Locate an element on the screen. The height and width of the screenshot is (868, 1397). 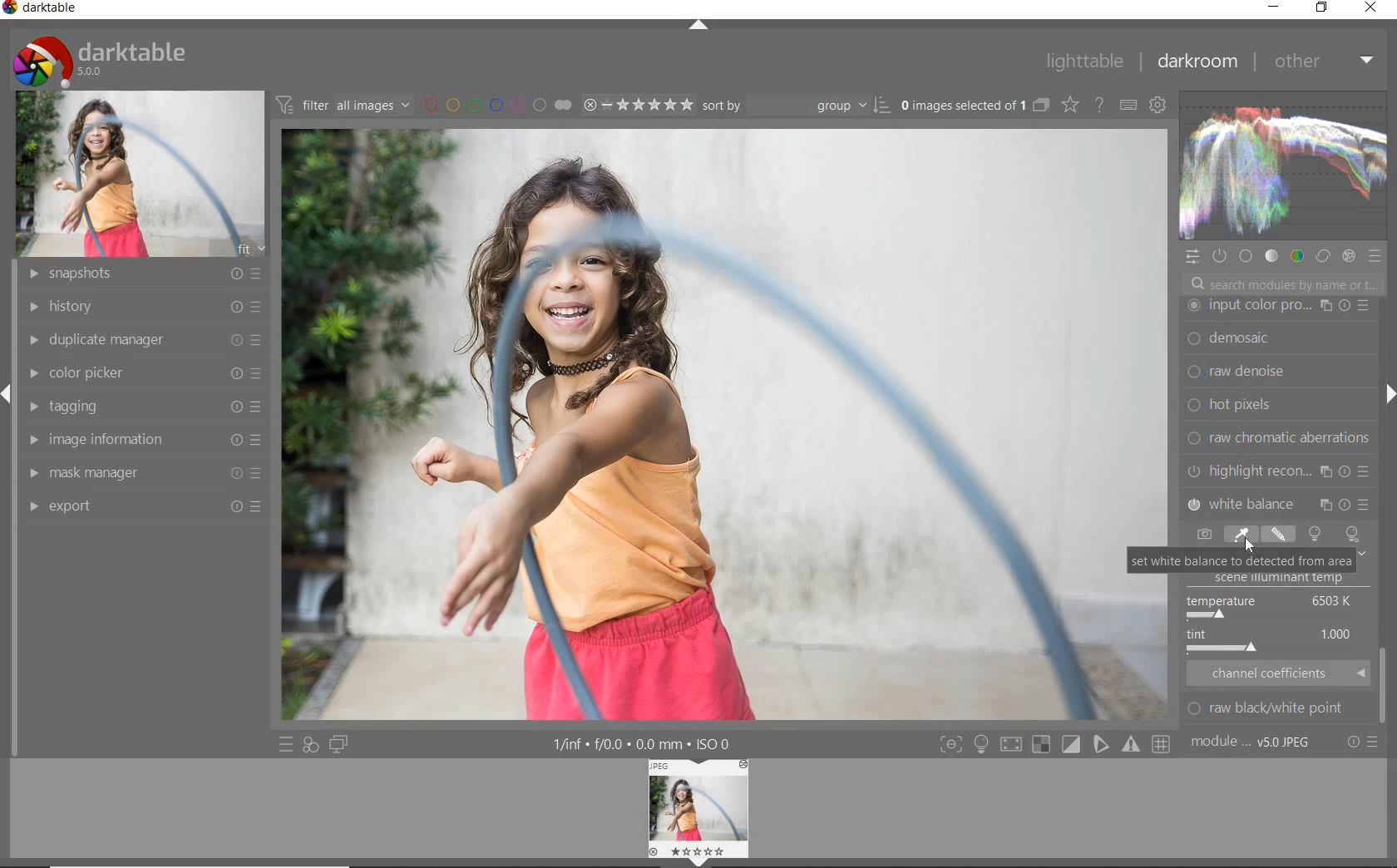
filter by image color label is located at coordinates (496, 104).